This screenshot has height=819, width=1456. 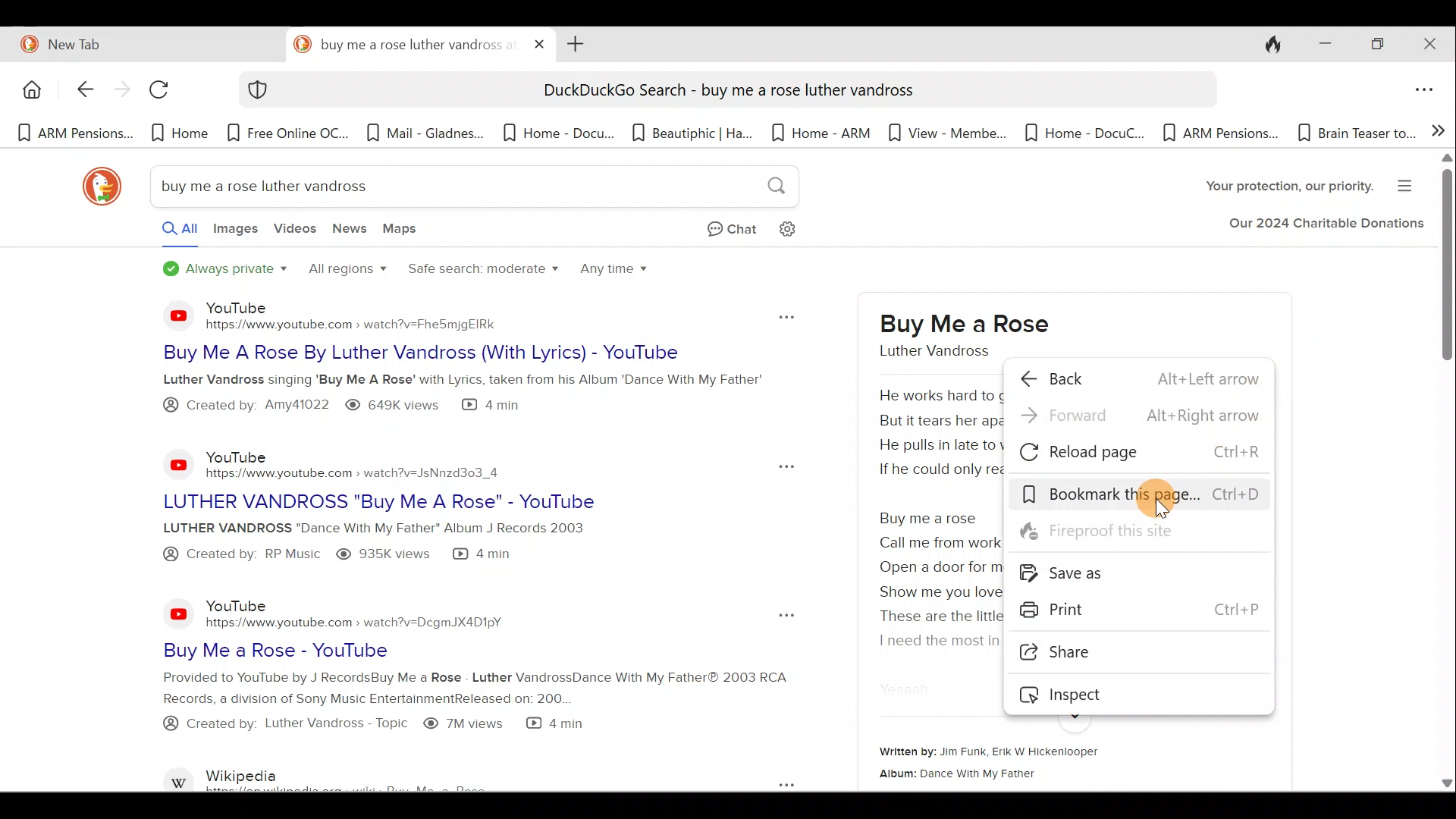 What do you see at coordinates (95, 187) in the screenshot?
I see `DuckDuckGo logo` at bounding box center [95, 187].